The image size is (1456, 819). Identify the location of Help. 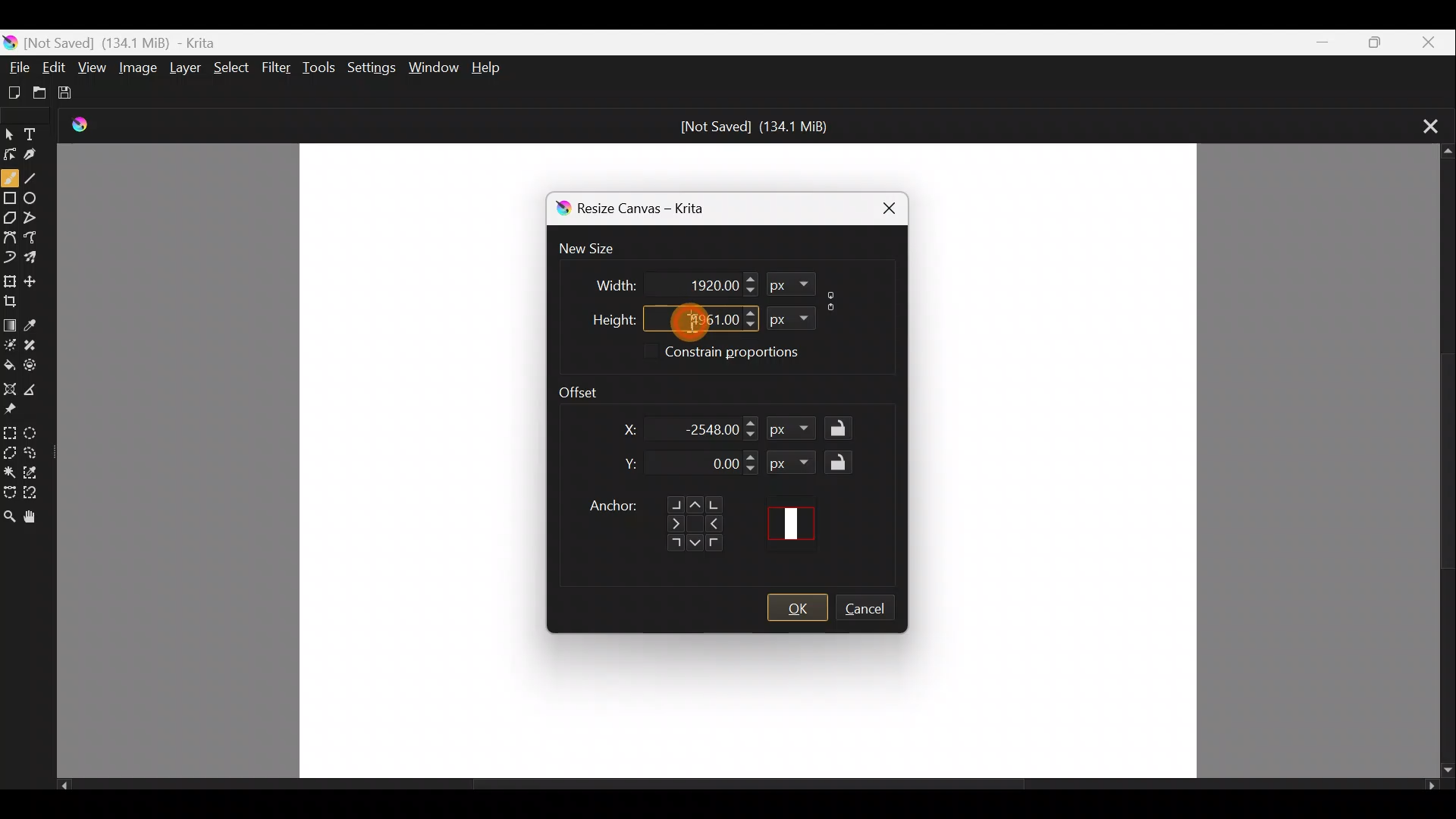
(491, 67).